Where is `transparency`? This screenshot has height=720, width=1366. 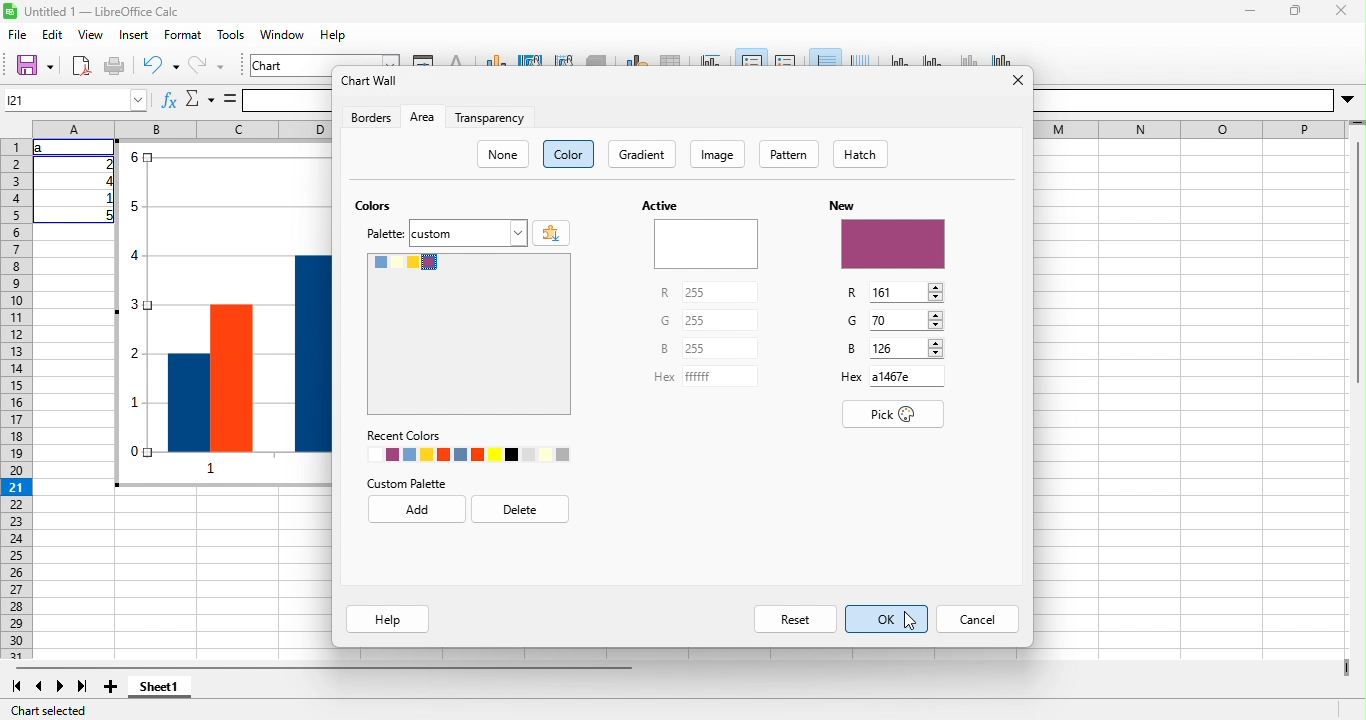
transparency is located at coordinates (490, 117).